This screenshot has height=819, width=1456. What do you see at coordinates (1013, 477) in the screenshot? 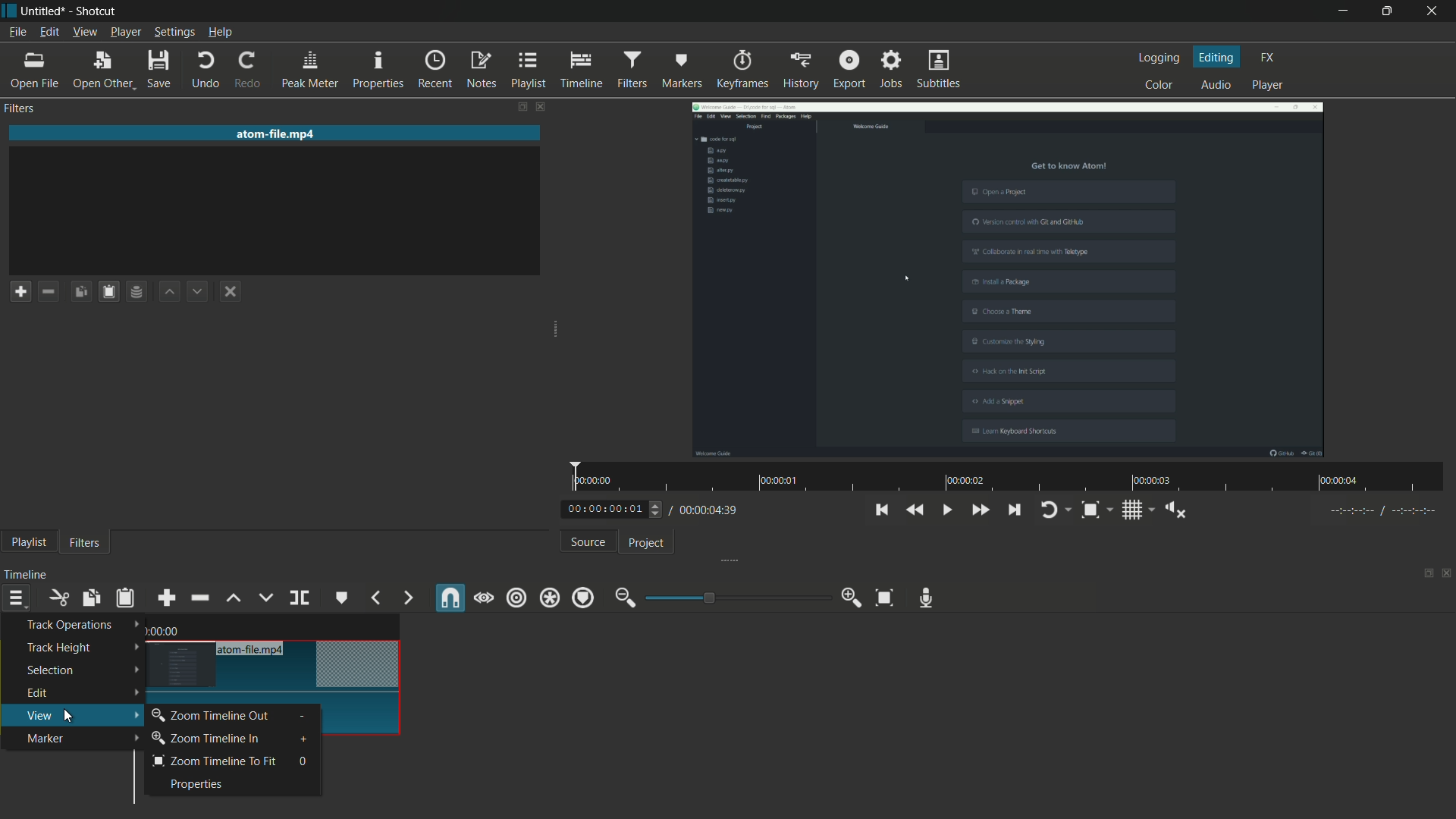
I see `time` at bounding box center [1013, 477].